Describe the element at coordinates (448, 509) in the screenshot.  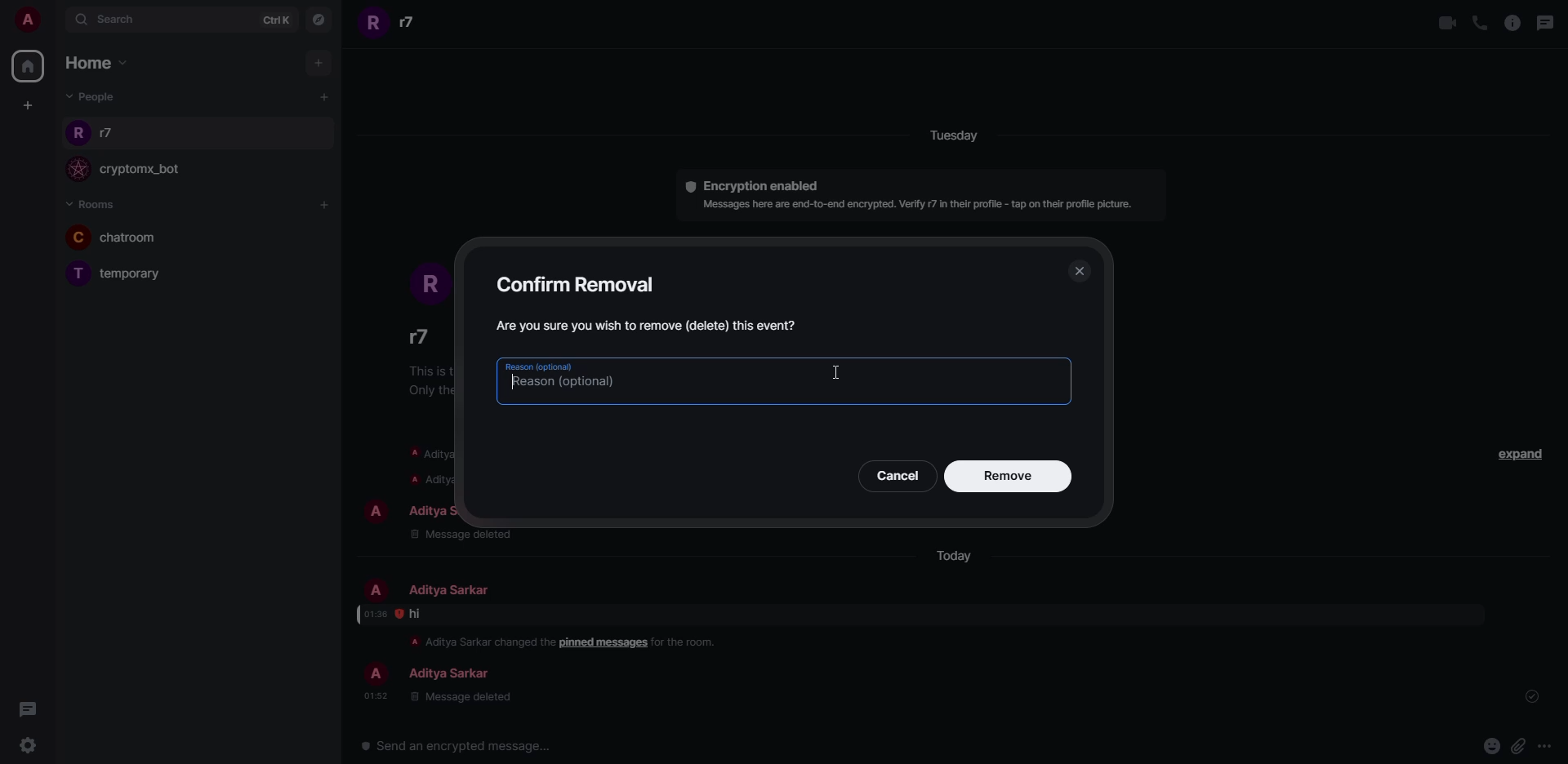
I see `people` at that location.